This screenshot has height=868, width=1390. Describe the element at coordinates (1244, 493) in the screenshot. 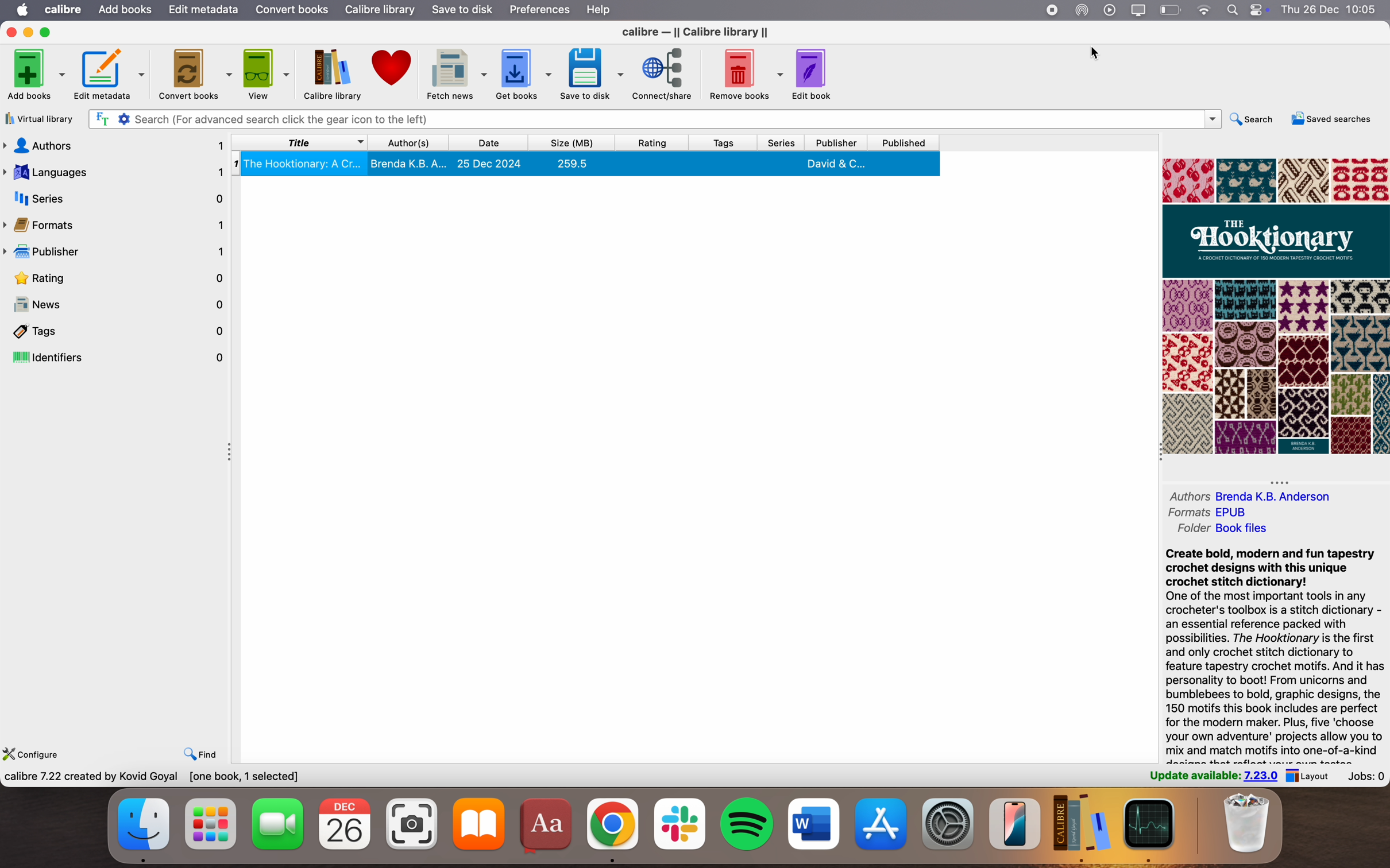

I see `authors Brenda K.B. Anderson` at that location.